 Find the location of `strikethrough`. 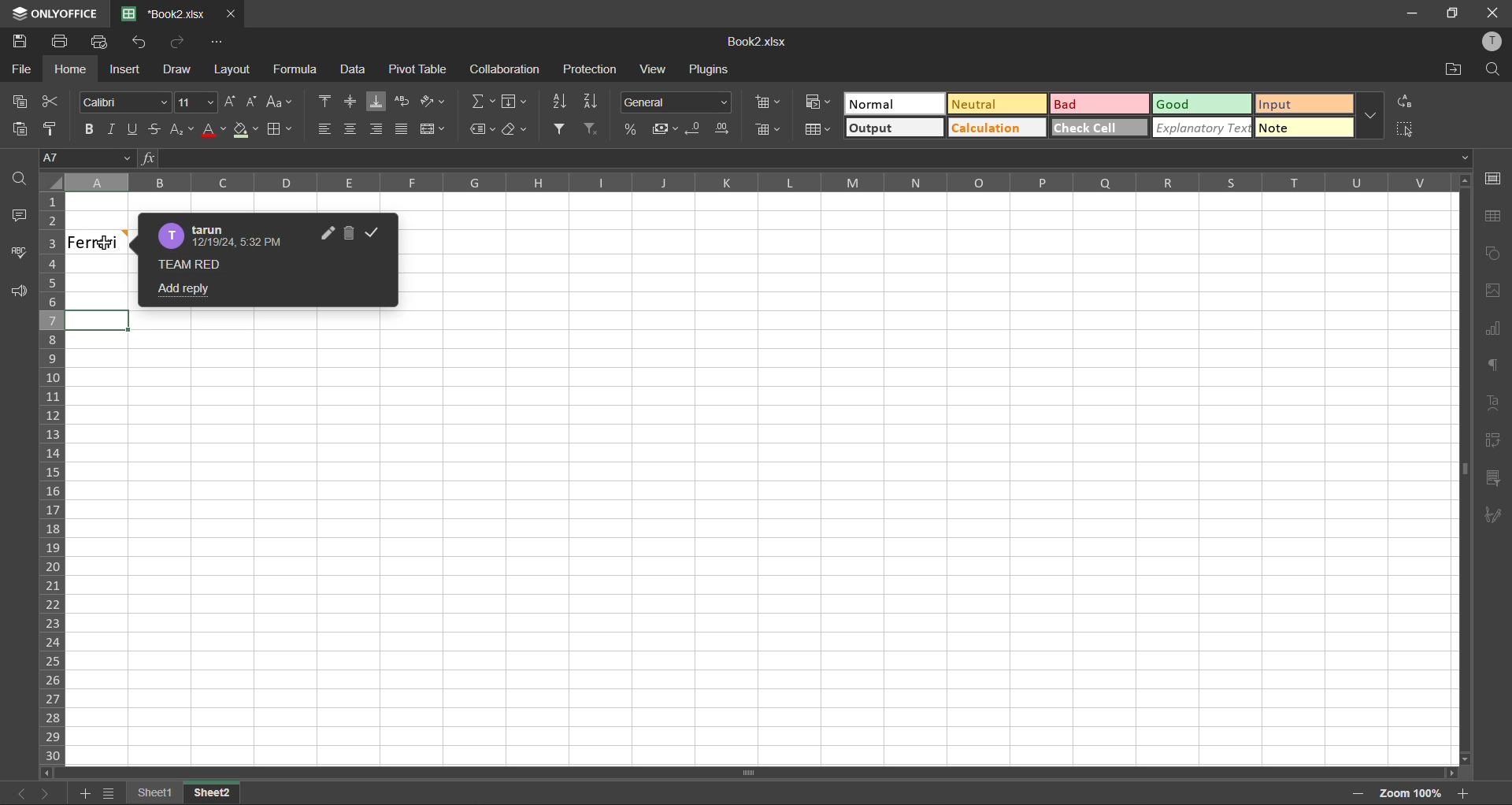

strikethrough is located at coordinates (154, 128).